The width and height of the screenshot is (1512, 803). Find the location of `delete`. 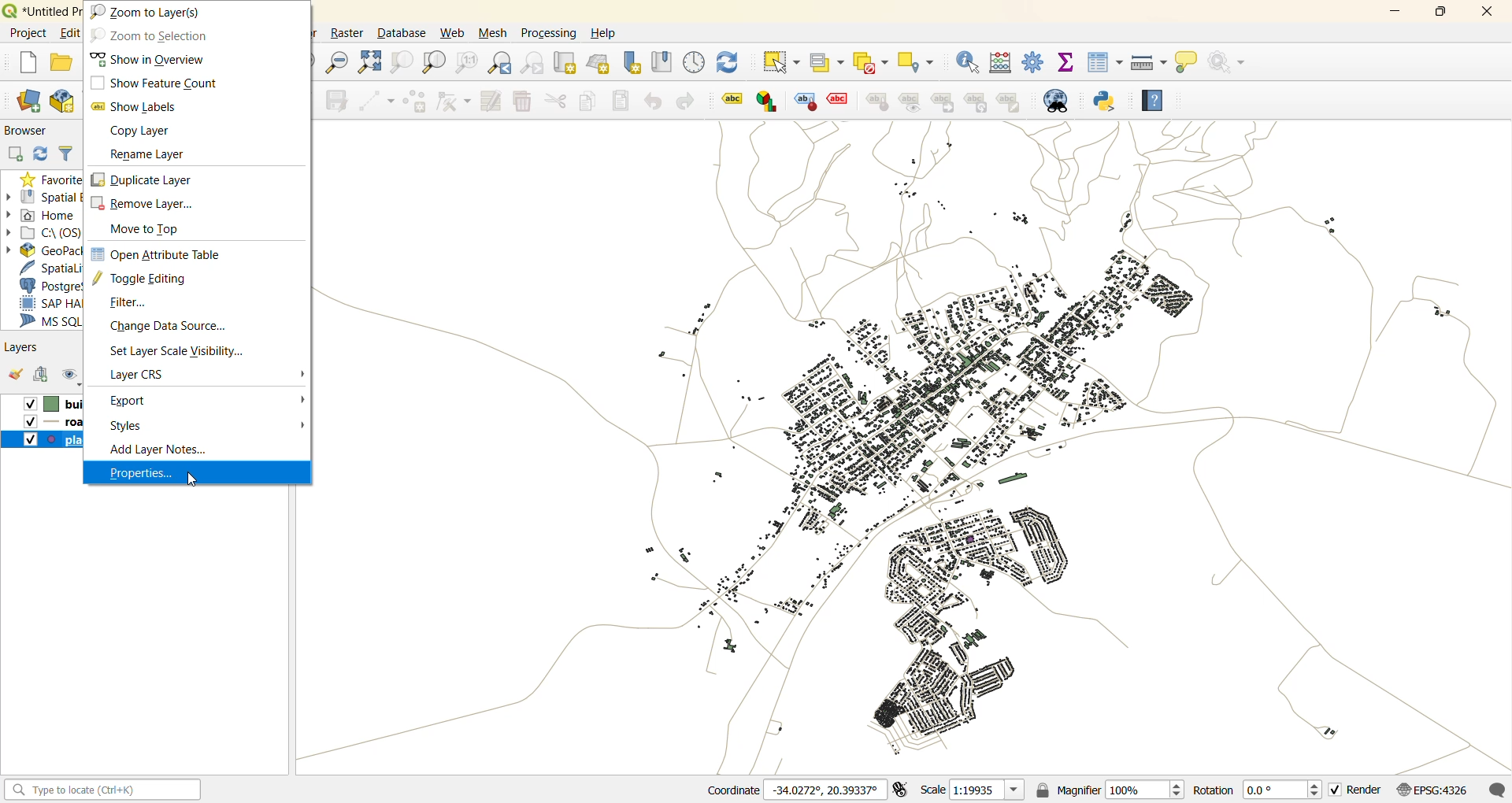

delete is located at coordinates (524, 101).